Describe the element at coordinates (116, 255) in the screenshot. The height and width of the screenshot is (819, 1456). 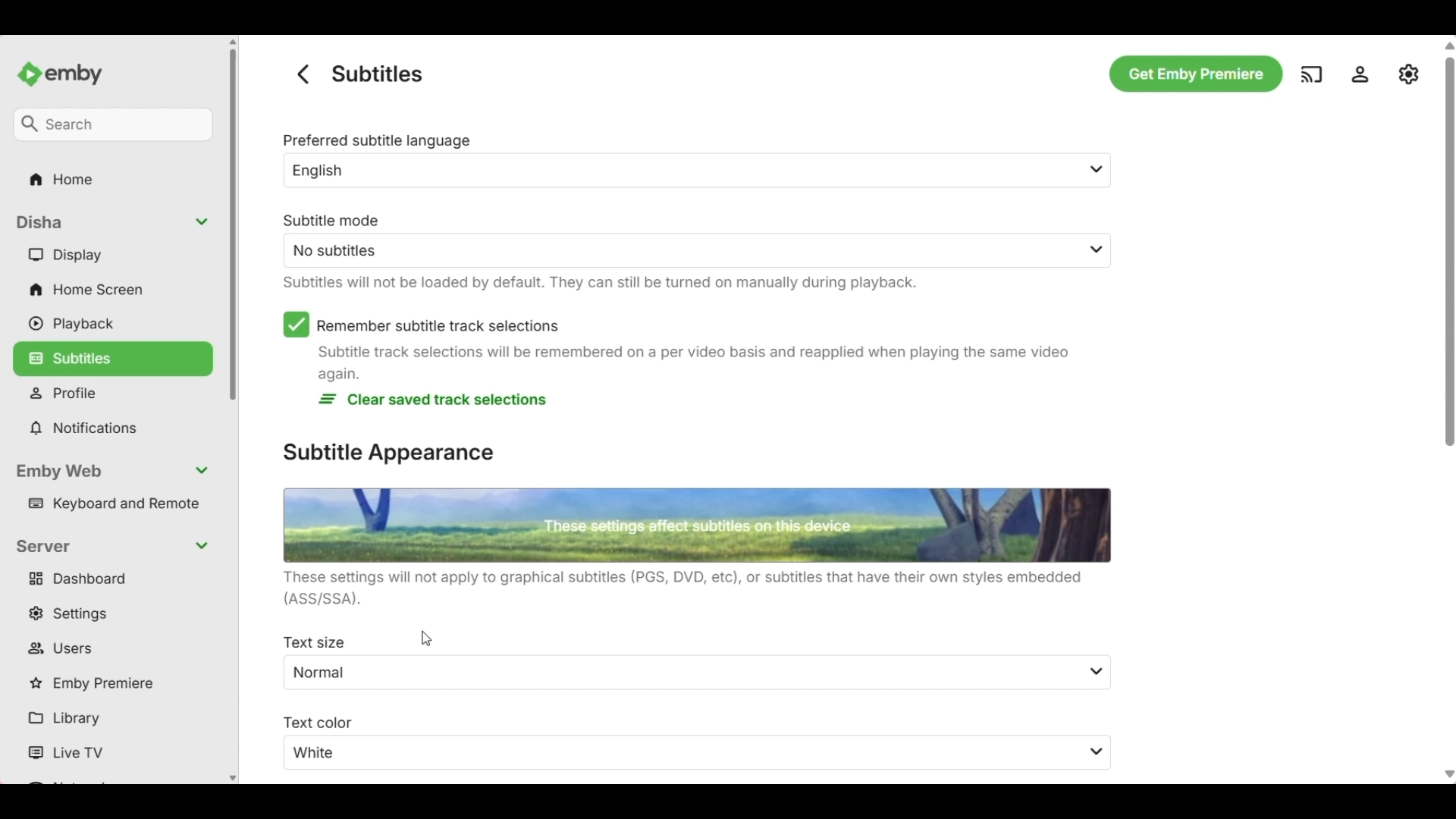
I see `Display` at that location.